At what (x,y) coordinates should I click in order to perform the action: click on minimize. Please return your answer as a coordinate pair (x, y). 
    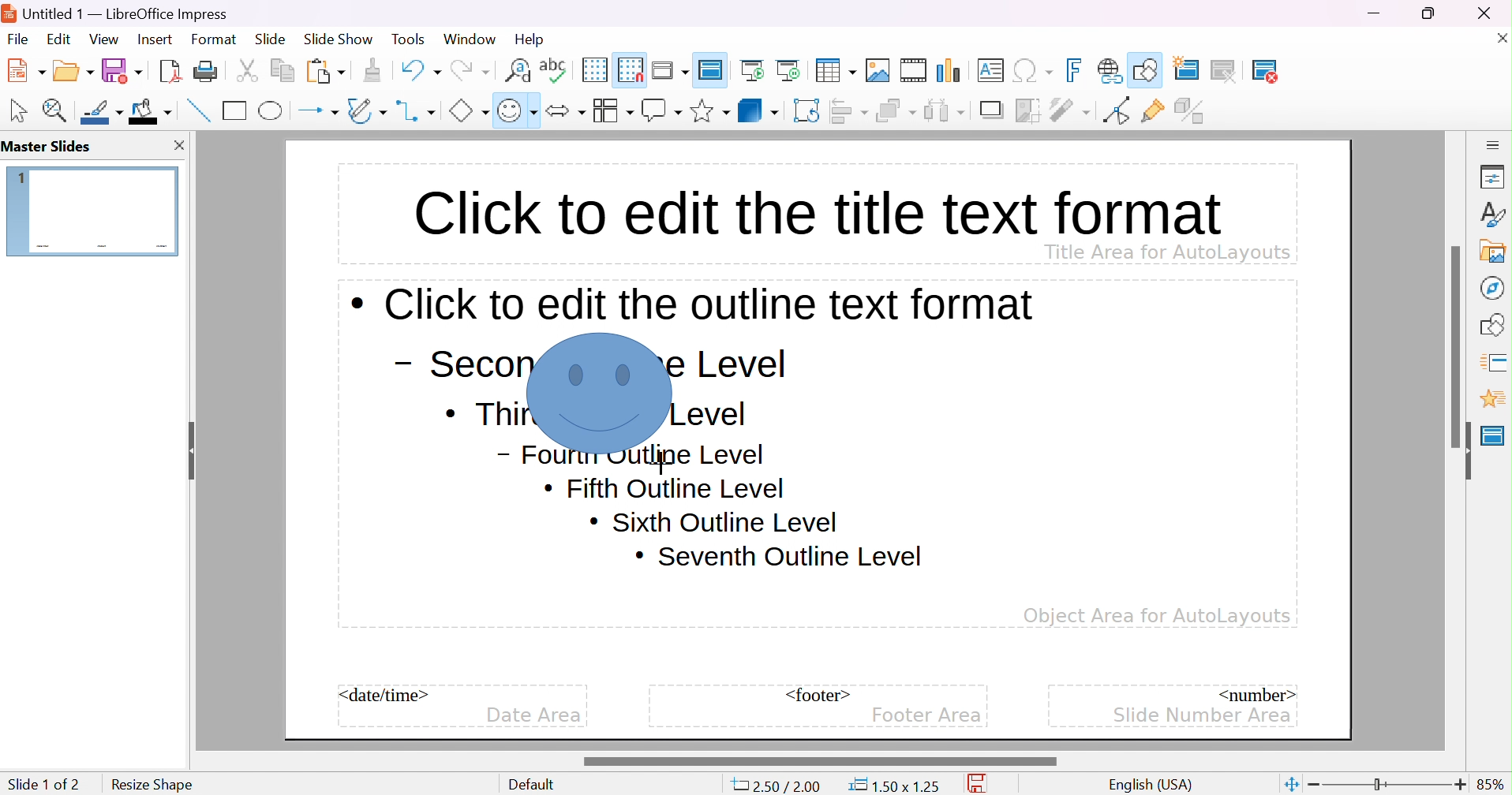
    Looking at the image, I should click on (1376, 13).